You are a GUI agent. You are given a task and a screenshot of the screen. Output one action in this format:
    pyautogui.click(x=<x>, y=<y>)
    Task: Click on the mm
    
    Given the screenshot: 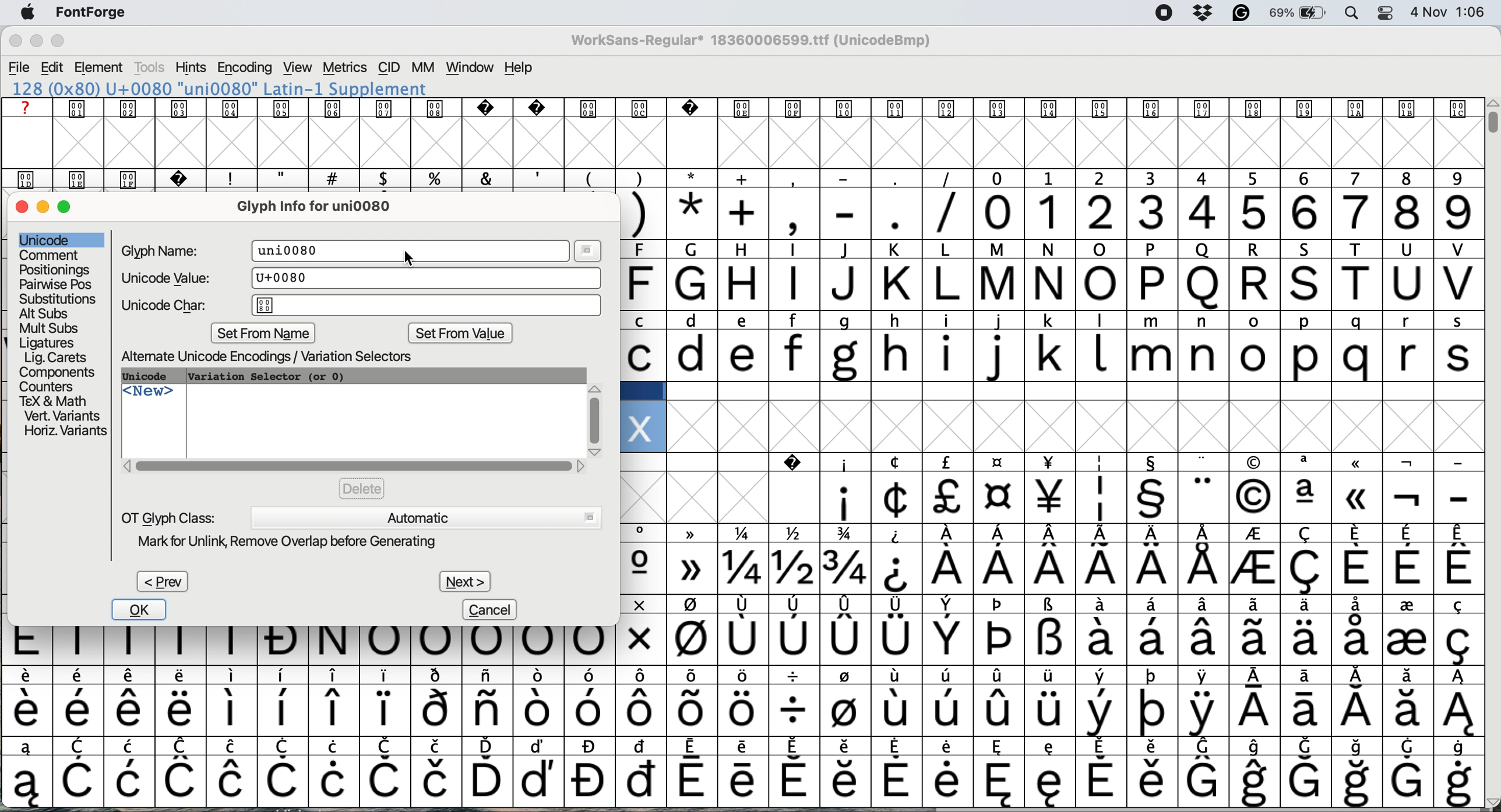 What is the action you would take?
    pyautogui.click(x=422, y=68)
    